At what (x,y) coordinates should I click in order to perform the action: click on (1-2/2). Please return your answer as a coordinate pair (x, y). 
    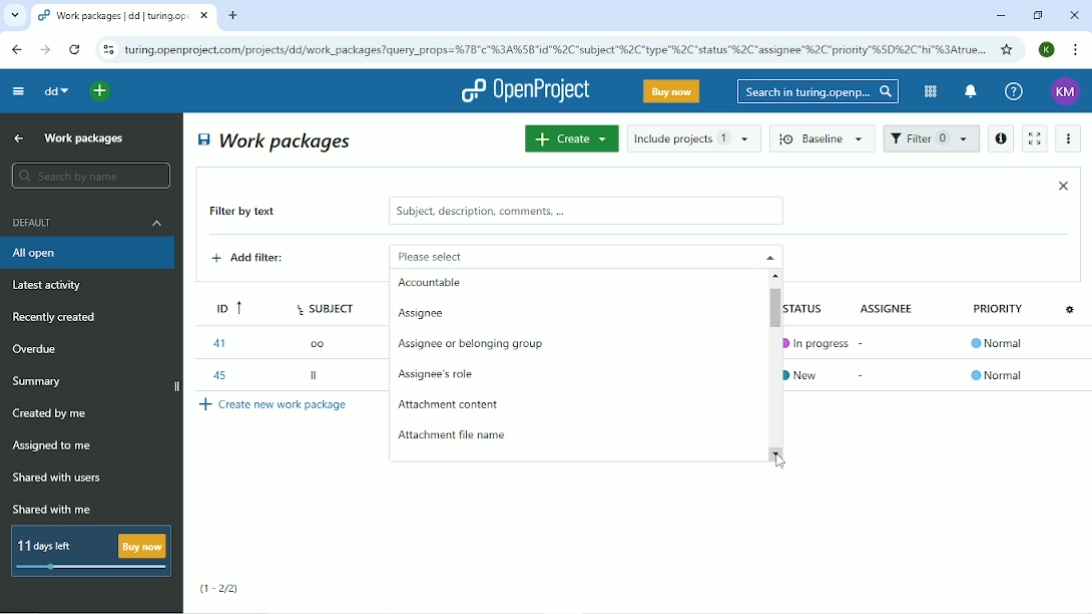
    Looking at the image, I should click on (220, 589).